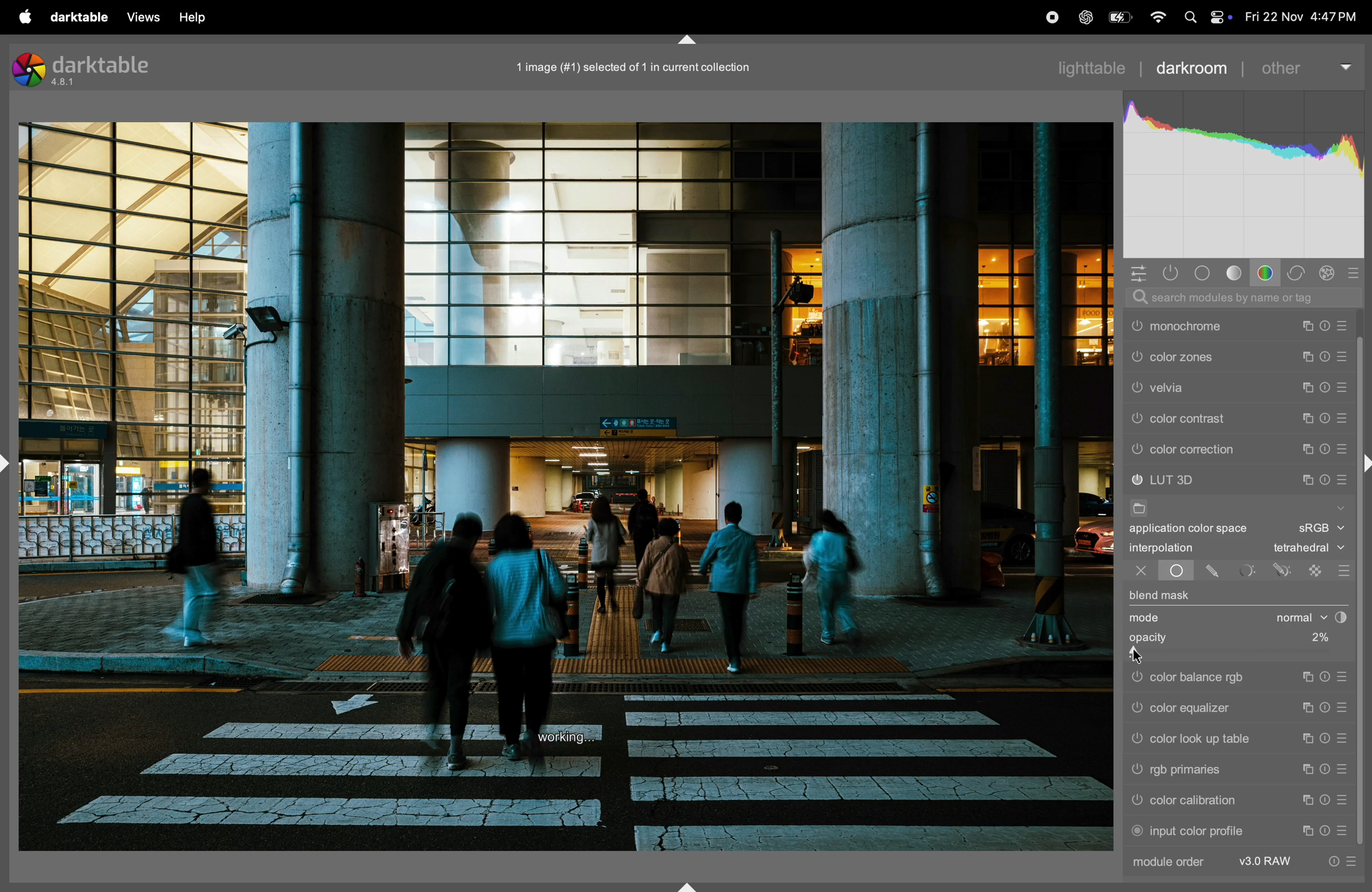 This screenshot has width=1372, height=892. Describe the element at coordinates (1325, 384) in the screenshot. I see `reset` at that location.